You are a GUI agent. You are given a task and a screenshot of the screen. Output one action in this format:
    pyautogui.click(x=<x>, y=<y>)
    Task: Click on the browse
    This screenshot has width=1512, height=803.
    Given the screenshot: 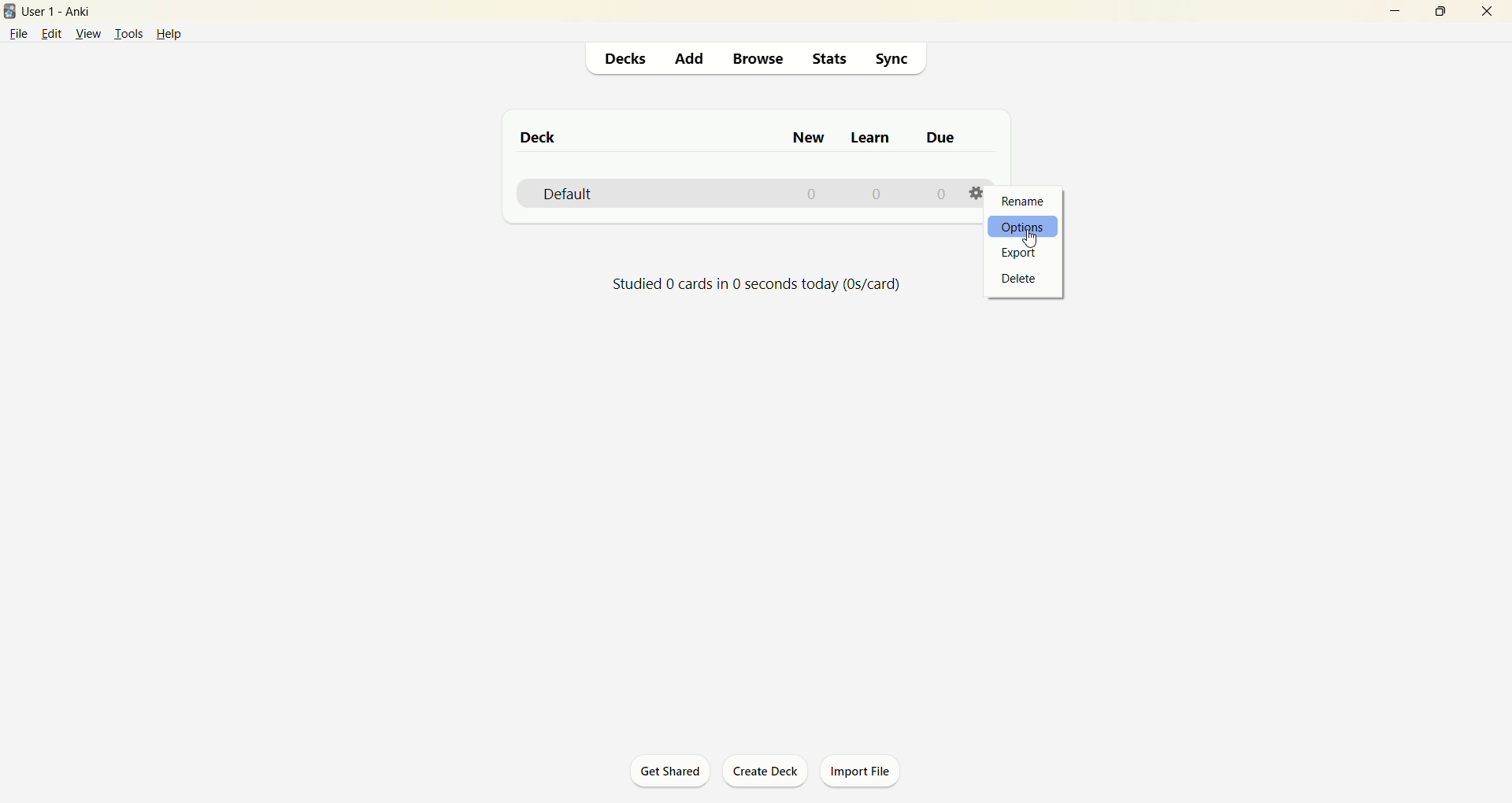 What is the action you would take?
    pyautogui.click(x=759, y=60)
    